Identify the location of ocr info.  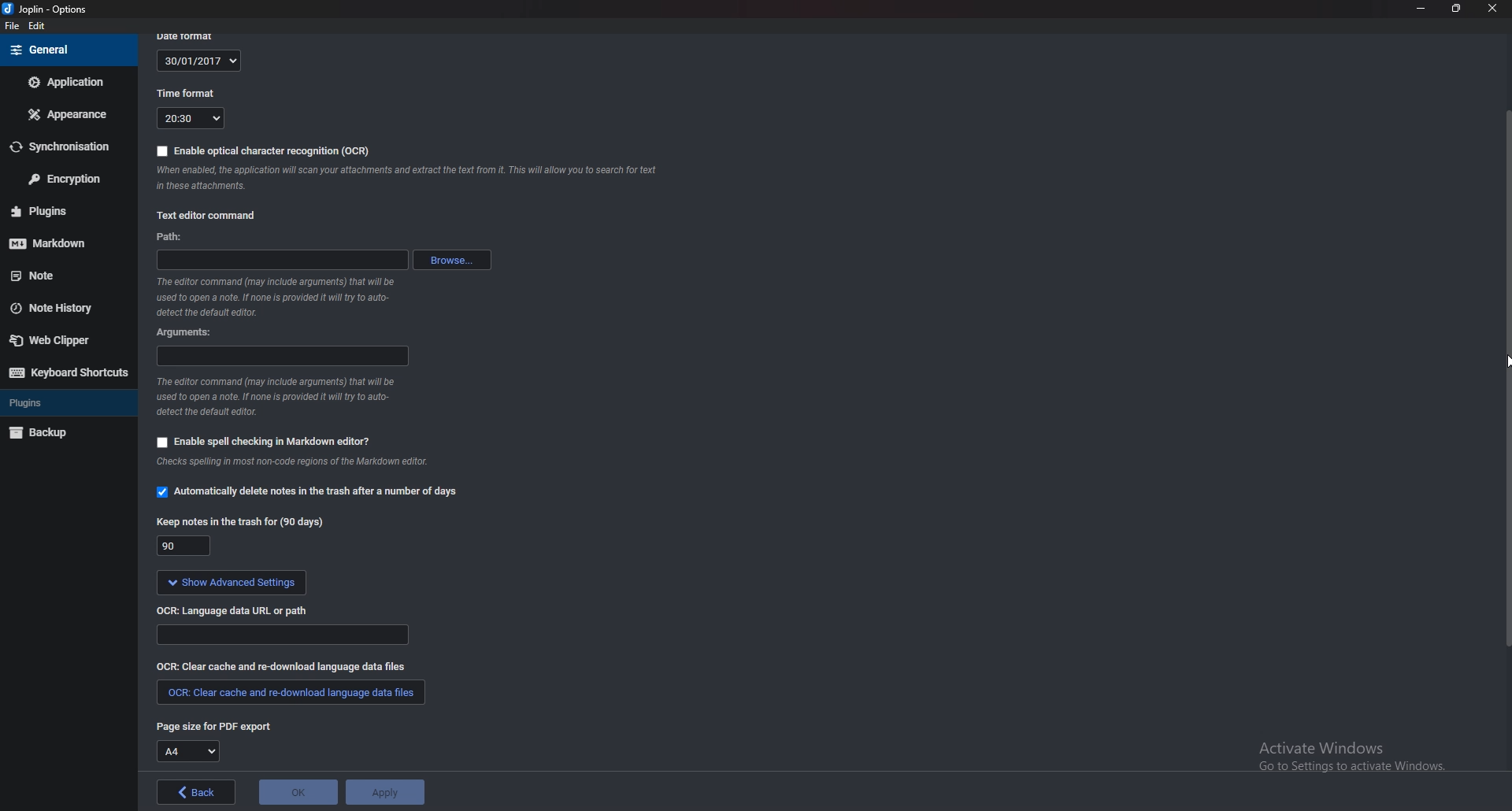
(404, 176).